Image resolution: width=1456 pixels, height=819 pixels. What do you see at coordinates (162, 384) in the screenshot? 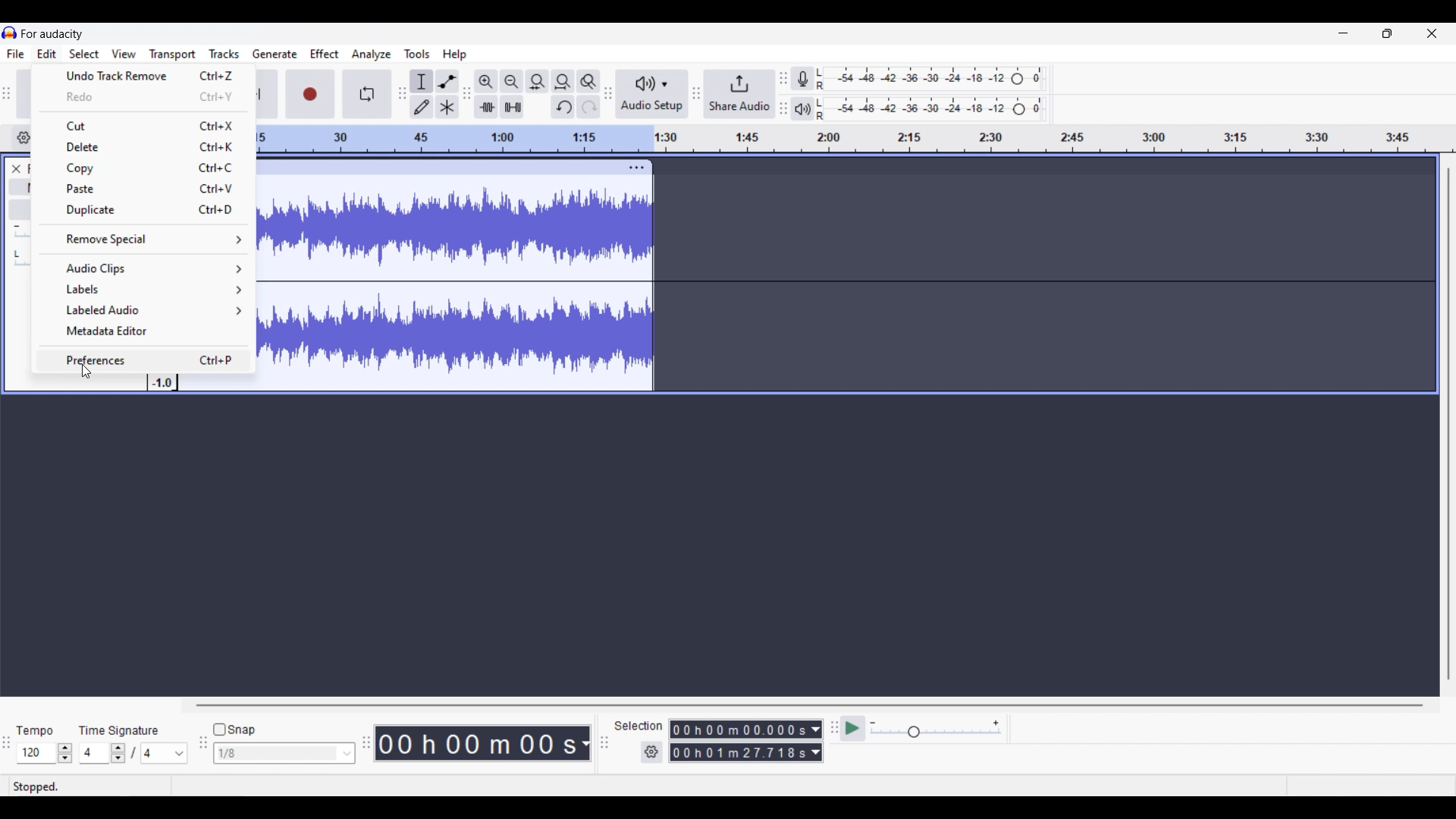
I see `Scale to measure sound intensity` at bounding box center [162, 384].